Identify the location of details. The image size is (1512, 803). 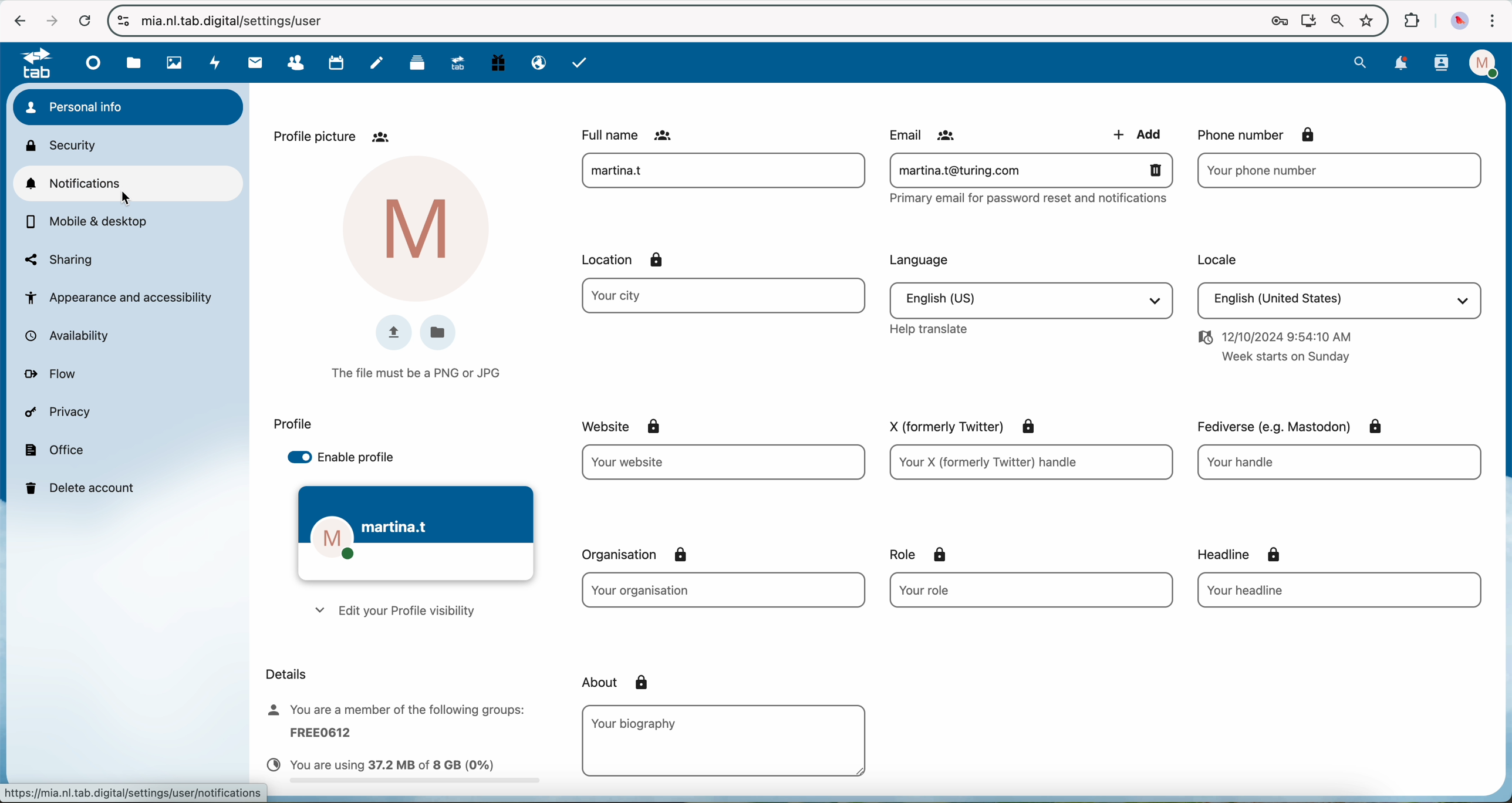
(285, 673).